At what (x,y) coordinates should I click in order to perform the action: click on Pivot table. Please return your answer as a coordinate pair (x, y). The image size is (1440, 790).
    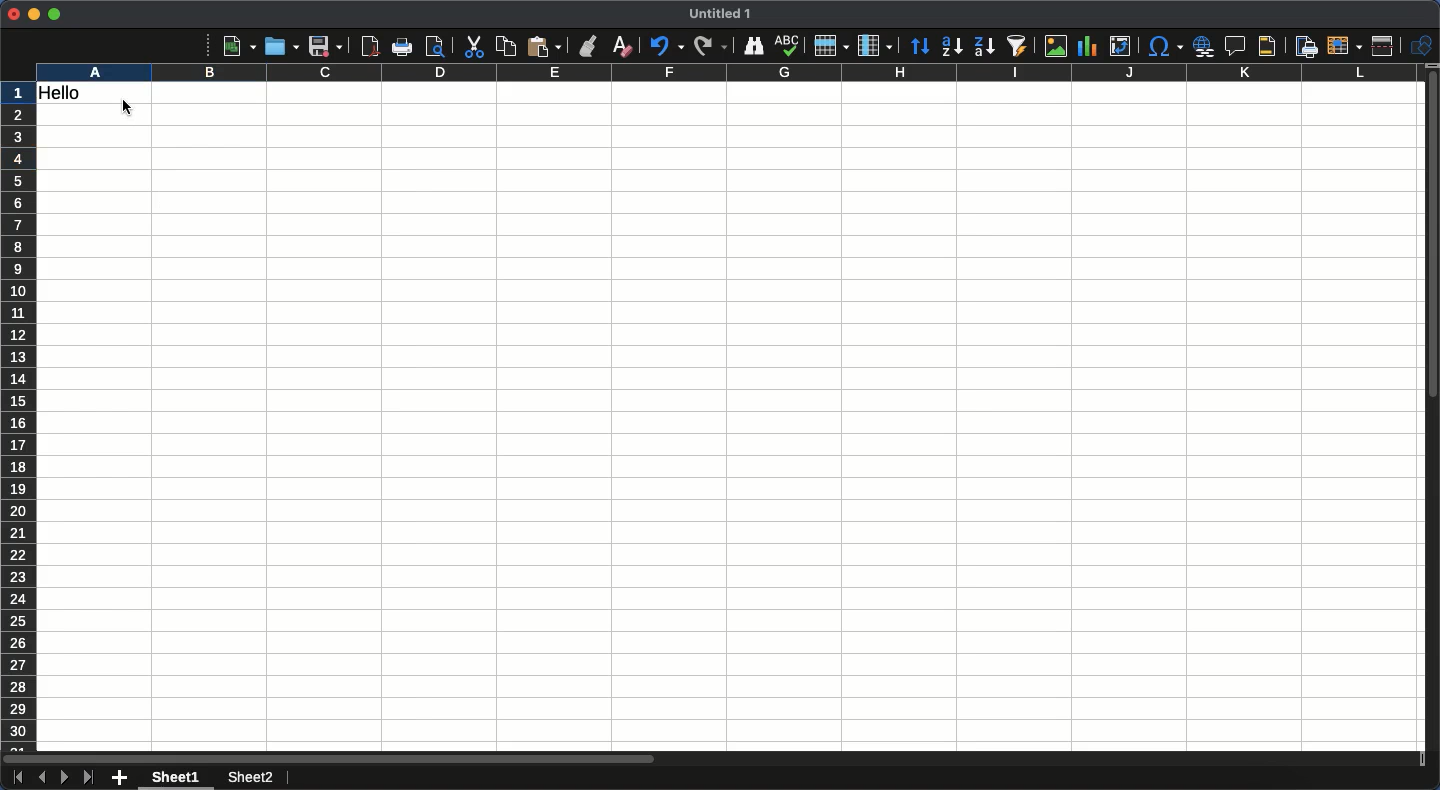
    Looking at the image, I should click on (1120, 46).